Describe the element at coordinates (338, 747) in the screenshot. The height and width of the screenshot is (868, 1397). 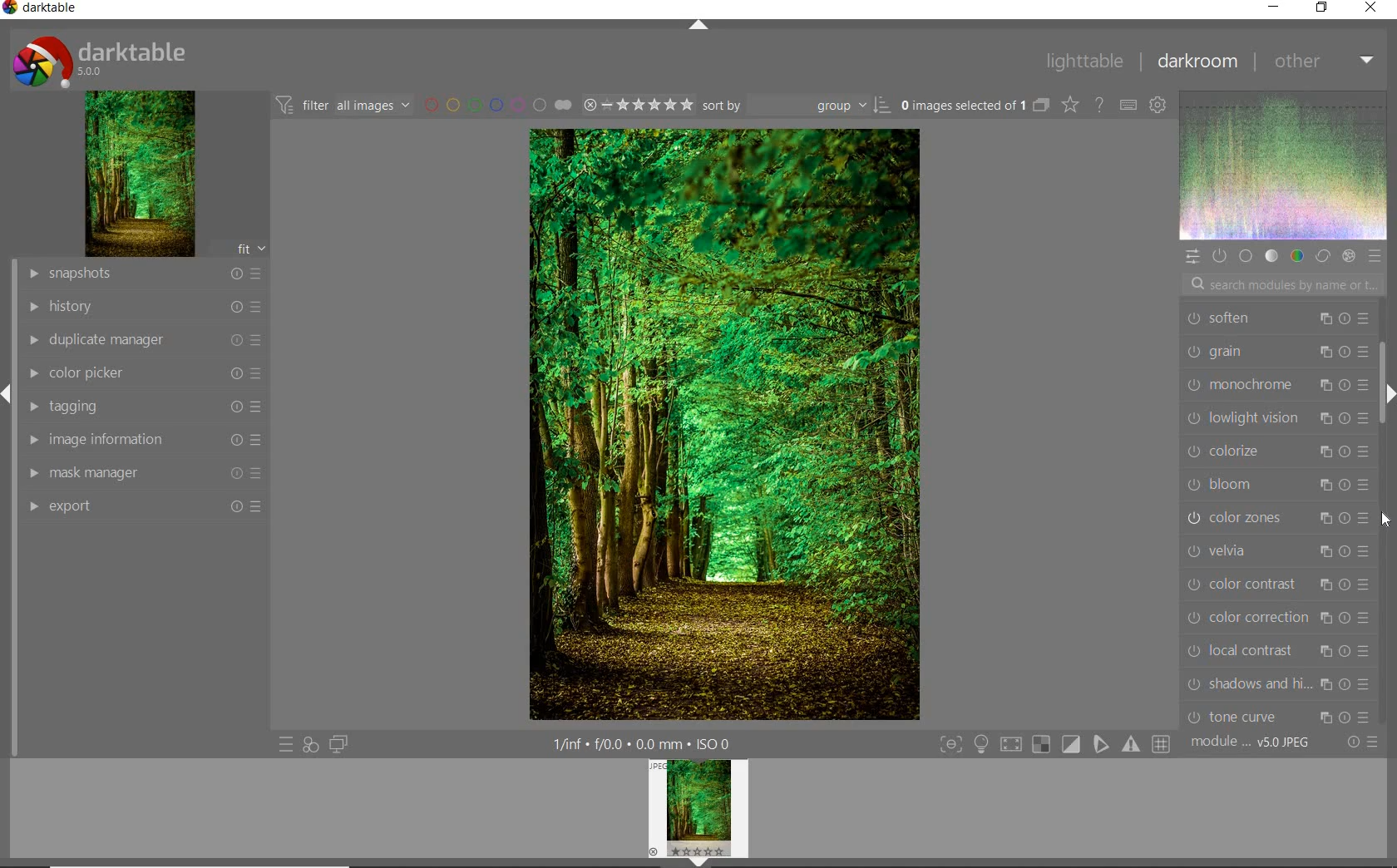
I see `DISPLAY A SECOND DARKROOM IMAGE WINDOW` at that location.